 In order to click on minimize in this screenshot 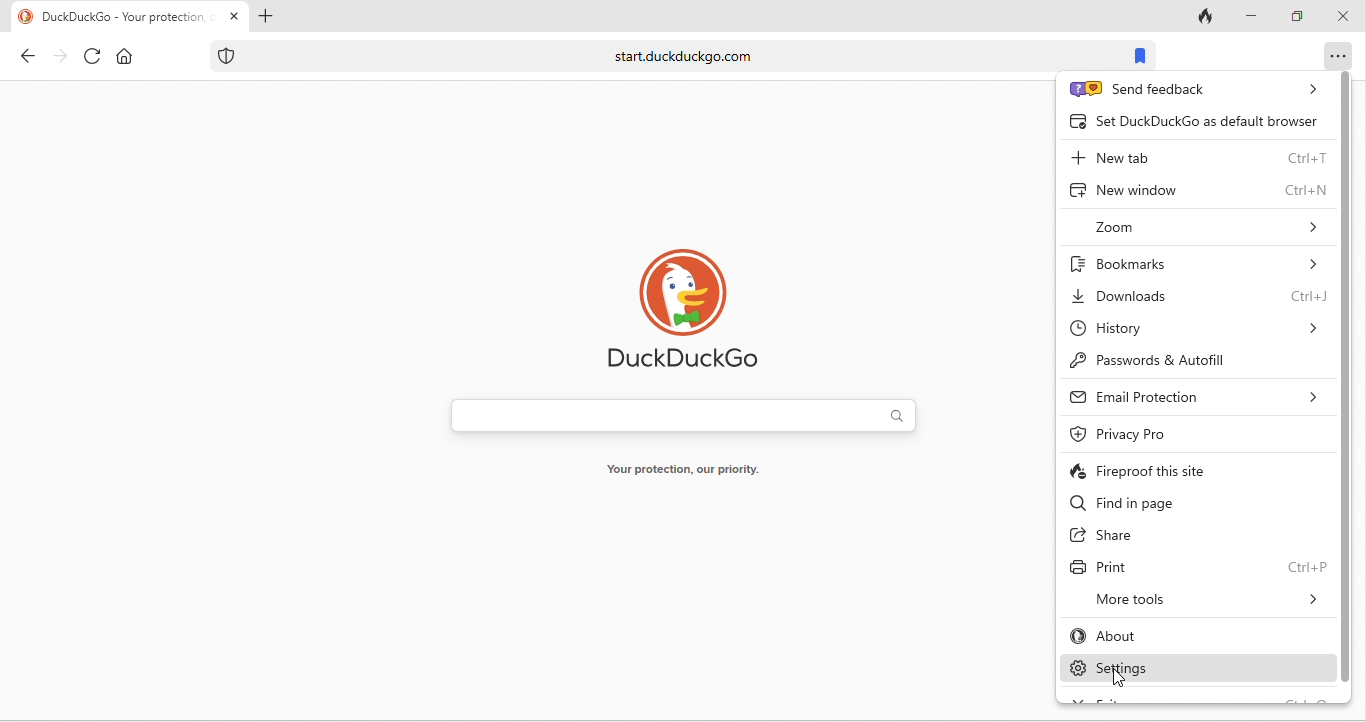, I will do `click(1252, 15)`.